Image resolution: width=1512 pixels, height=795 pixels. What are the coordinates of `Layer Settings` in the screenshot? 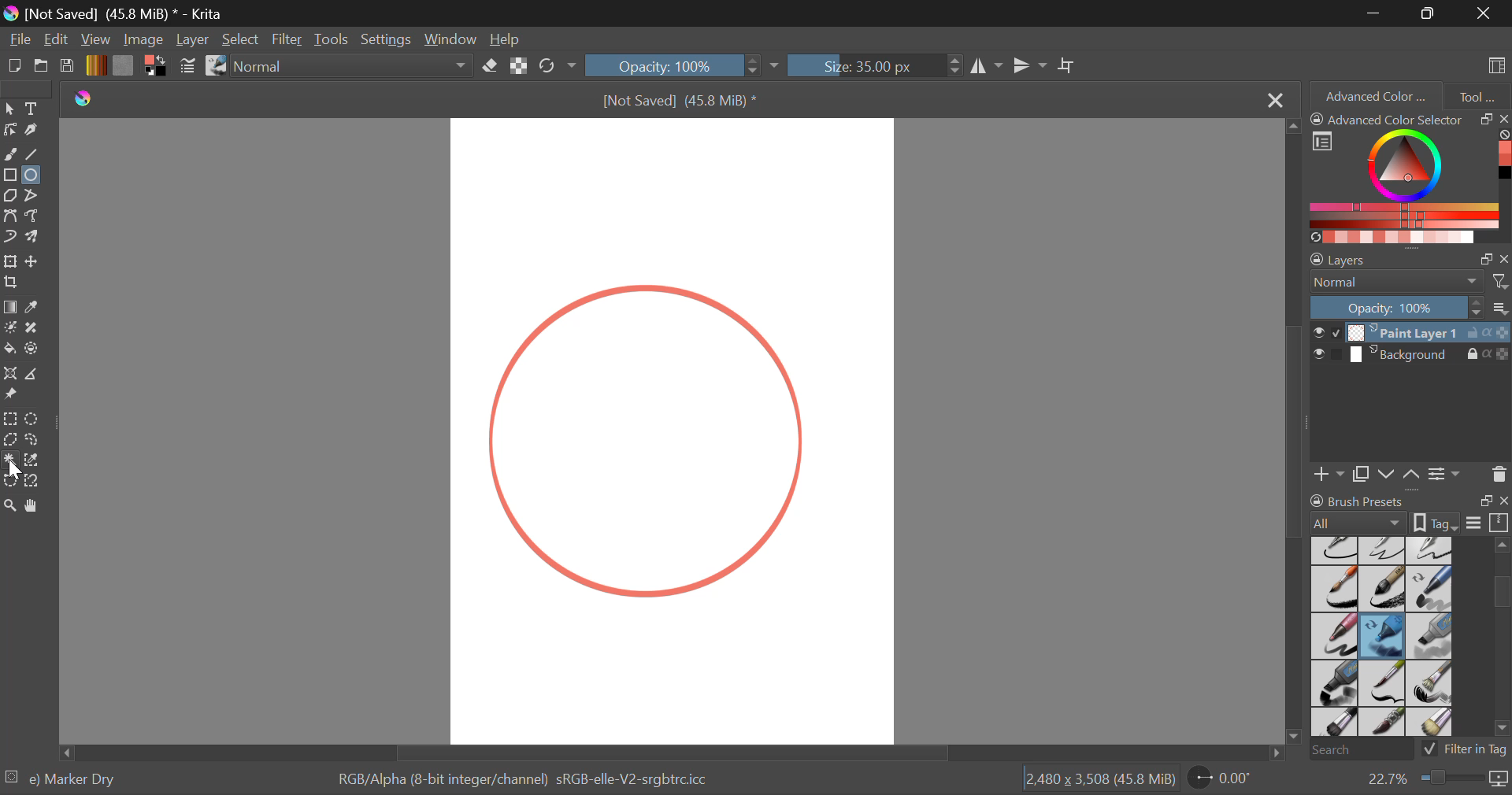 It's located at (1410, 256).